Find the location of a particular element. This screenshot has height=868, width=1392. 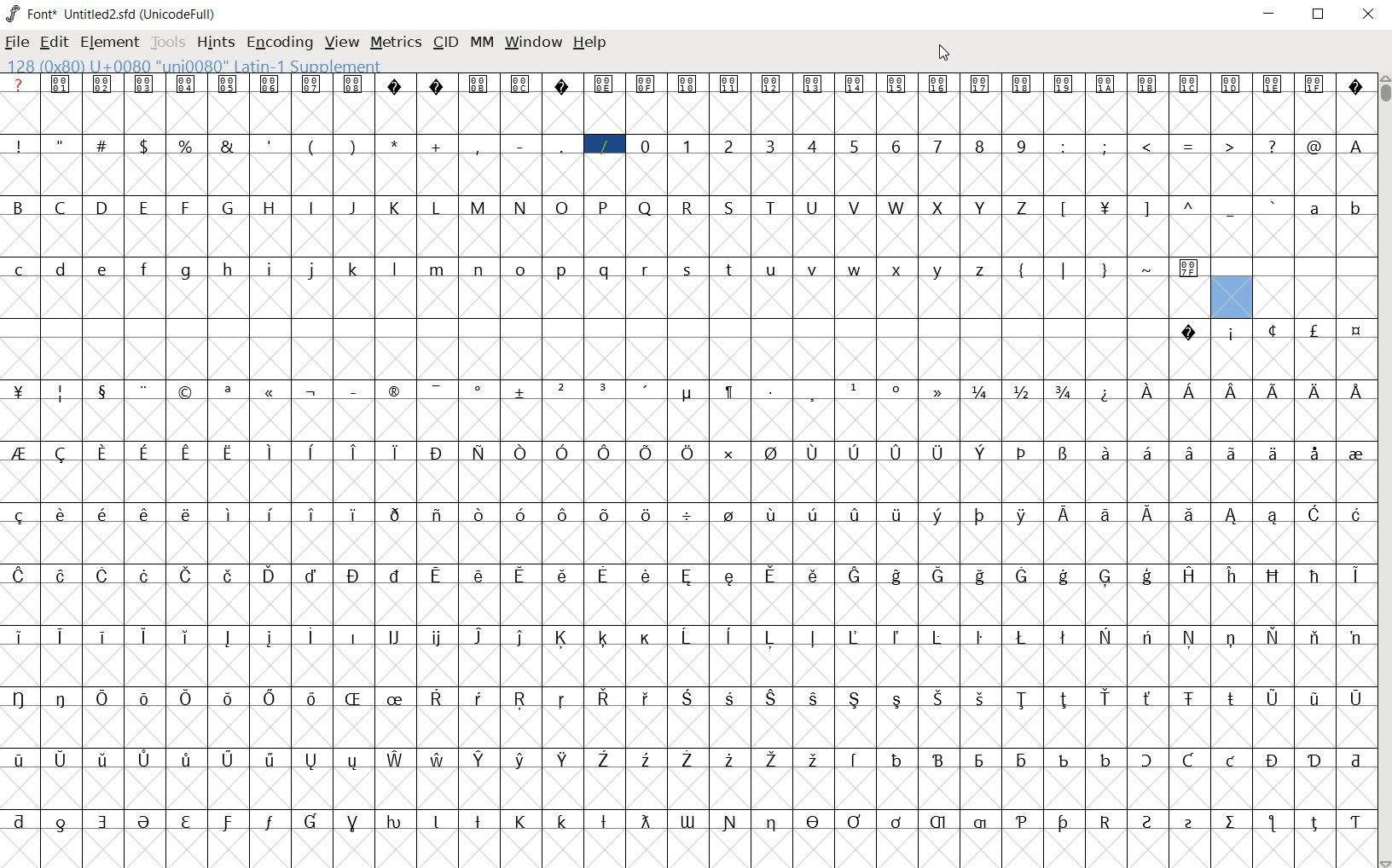

glyph is located at coordinates (1022, 84).